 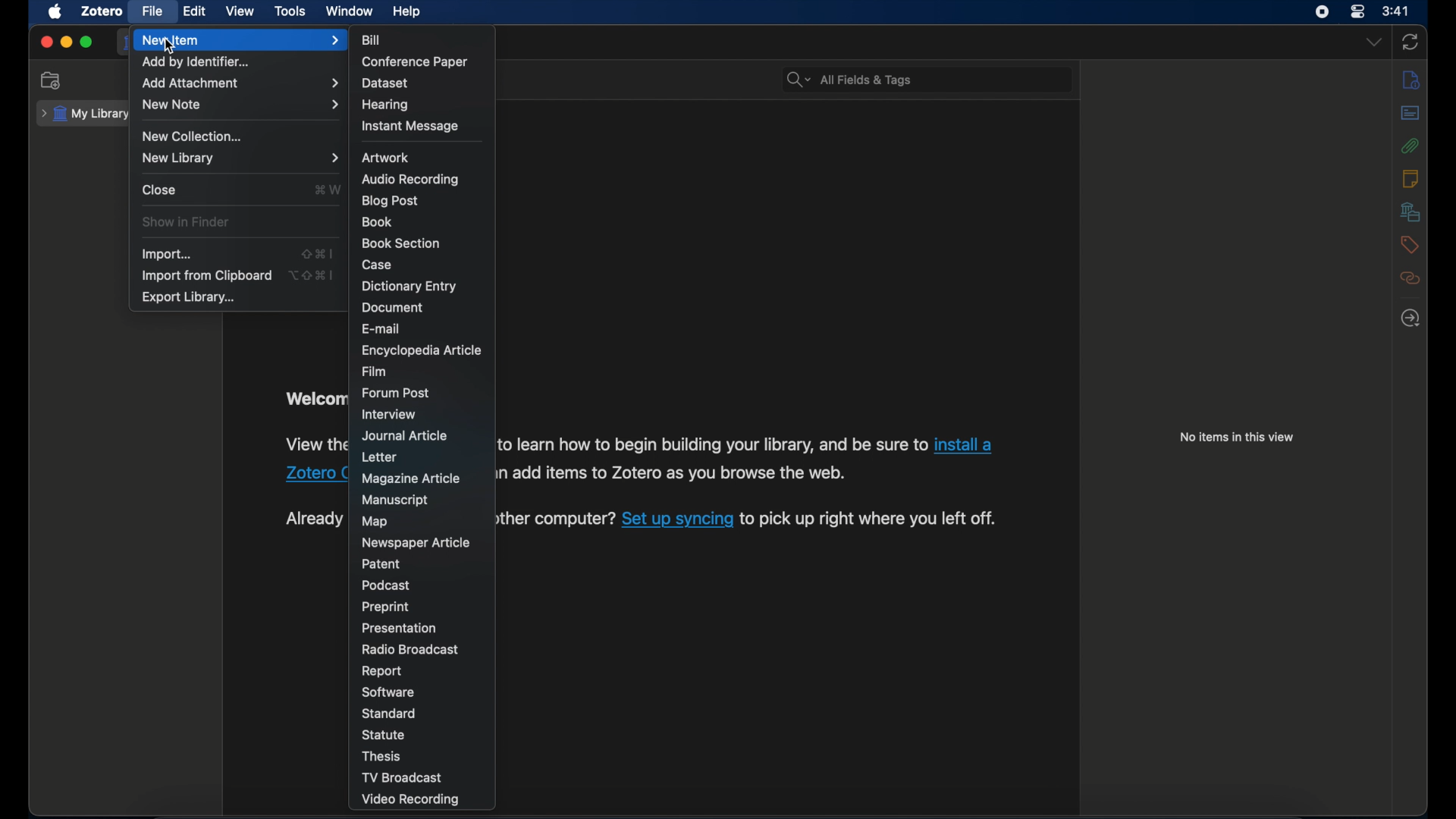 I want to click on shortcut, so click(x=328, y=189).